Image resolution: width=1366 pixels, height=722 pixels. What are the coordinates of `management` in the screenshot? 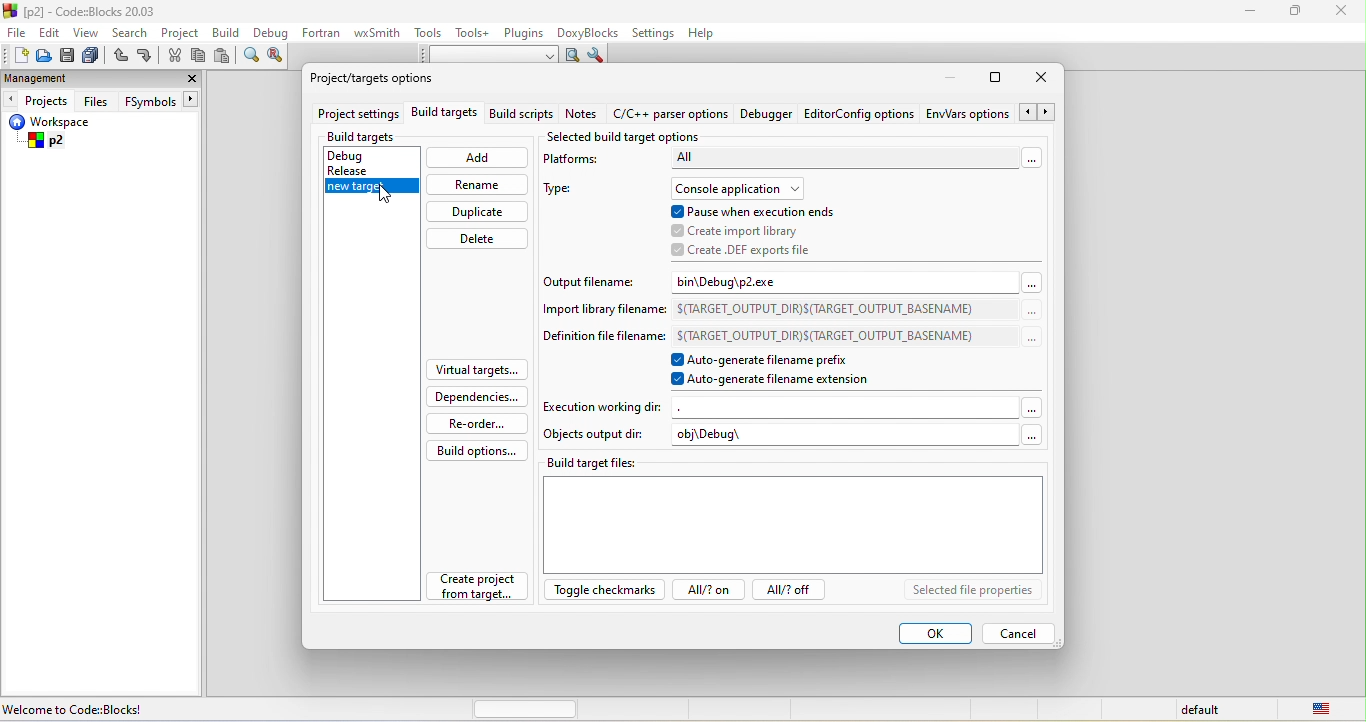 It's located at (36, 78).